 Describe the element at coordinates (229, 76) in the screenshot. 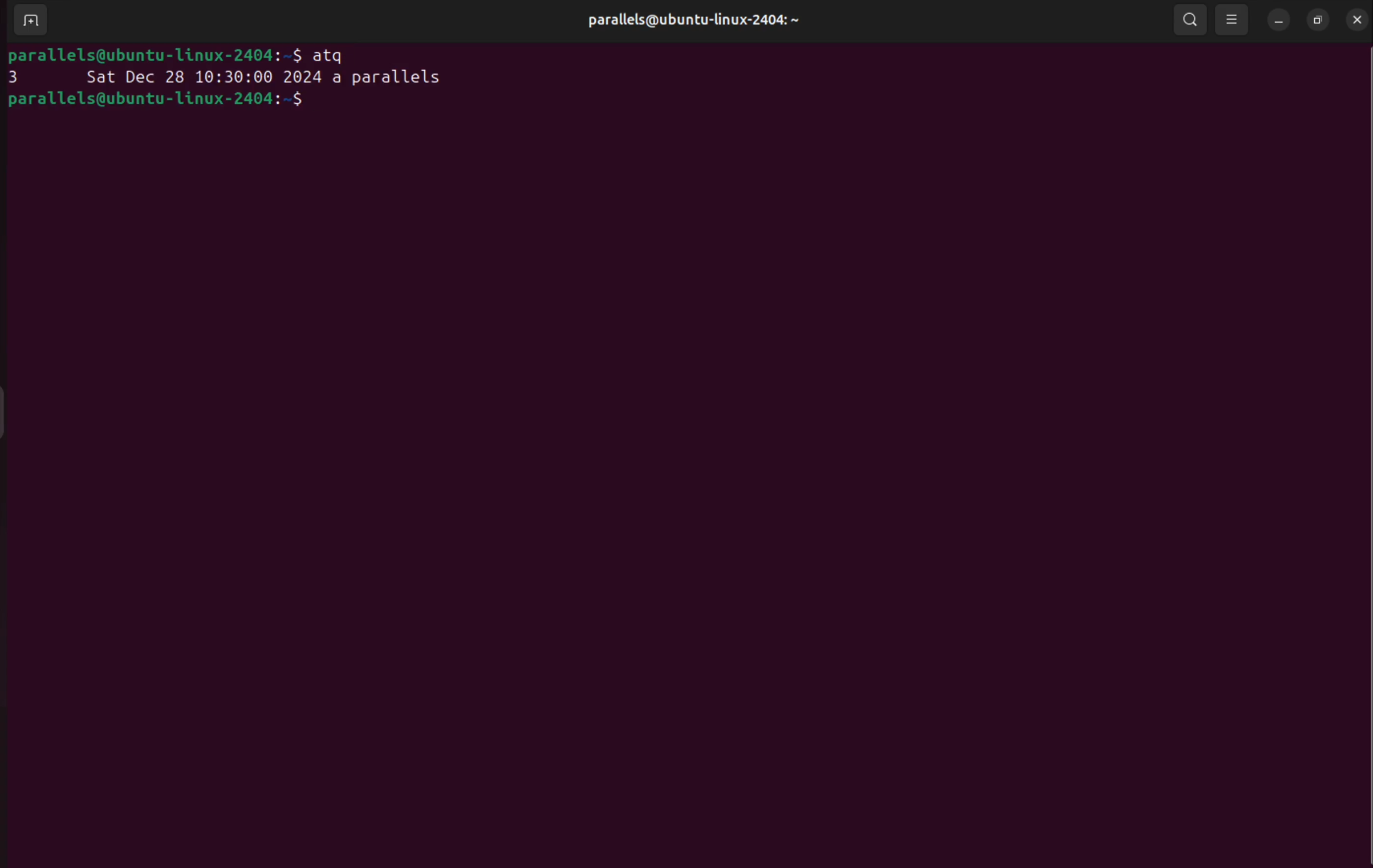

I see `task set for sat 28 dec 10 .30 am` at that location.